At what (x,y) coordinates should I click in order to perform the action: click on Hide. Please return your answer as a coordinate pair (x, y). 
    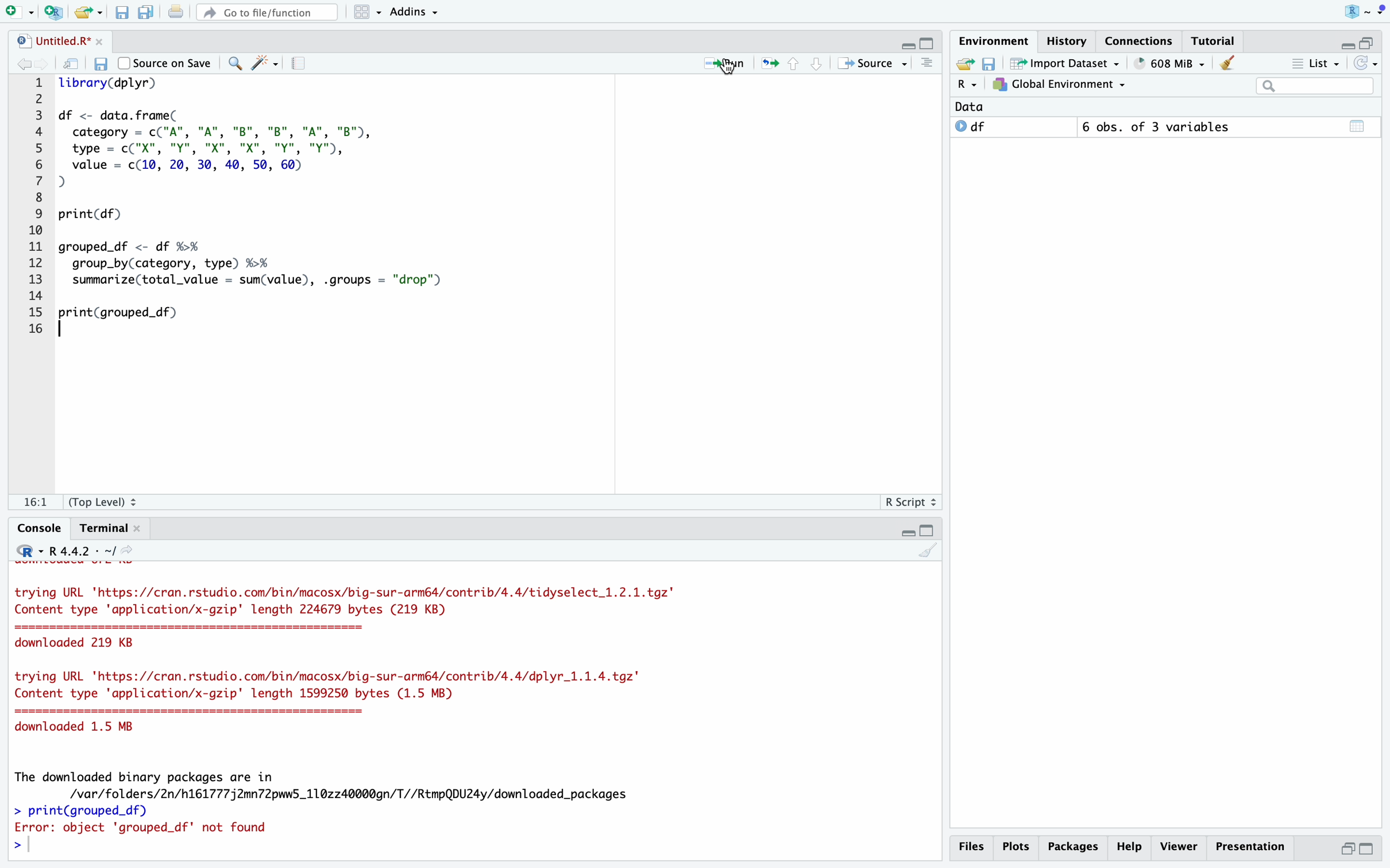
    Looking at the image, I should click on (1347, 42).